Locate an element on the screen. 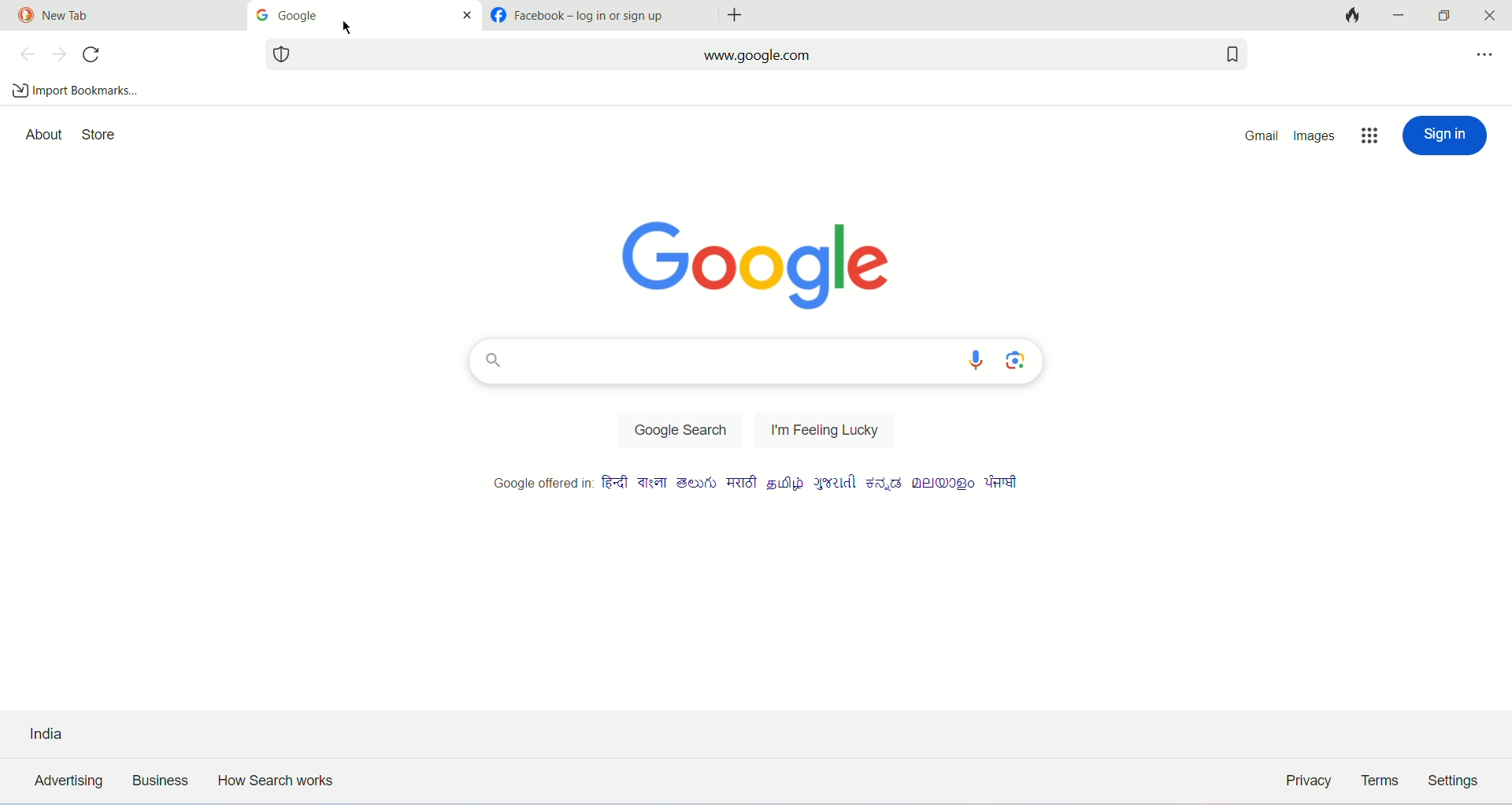 Image resolution: width=1512 pixels, height=805 pixels. terms is located at coordinates (1383, 780).